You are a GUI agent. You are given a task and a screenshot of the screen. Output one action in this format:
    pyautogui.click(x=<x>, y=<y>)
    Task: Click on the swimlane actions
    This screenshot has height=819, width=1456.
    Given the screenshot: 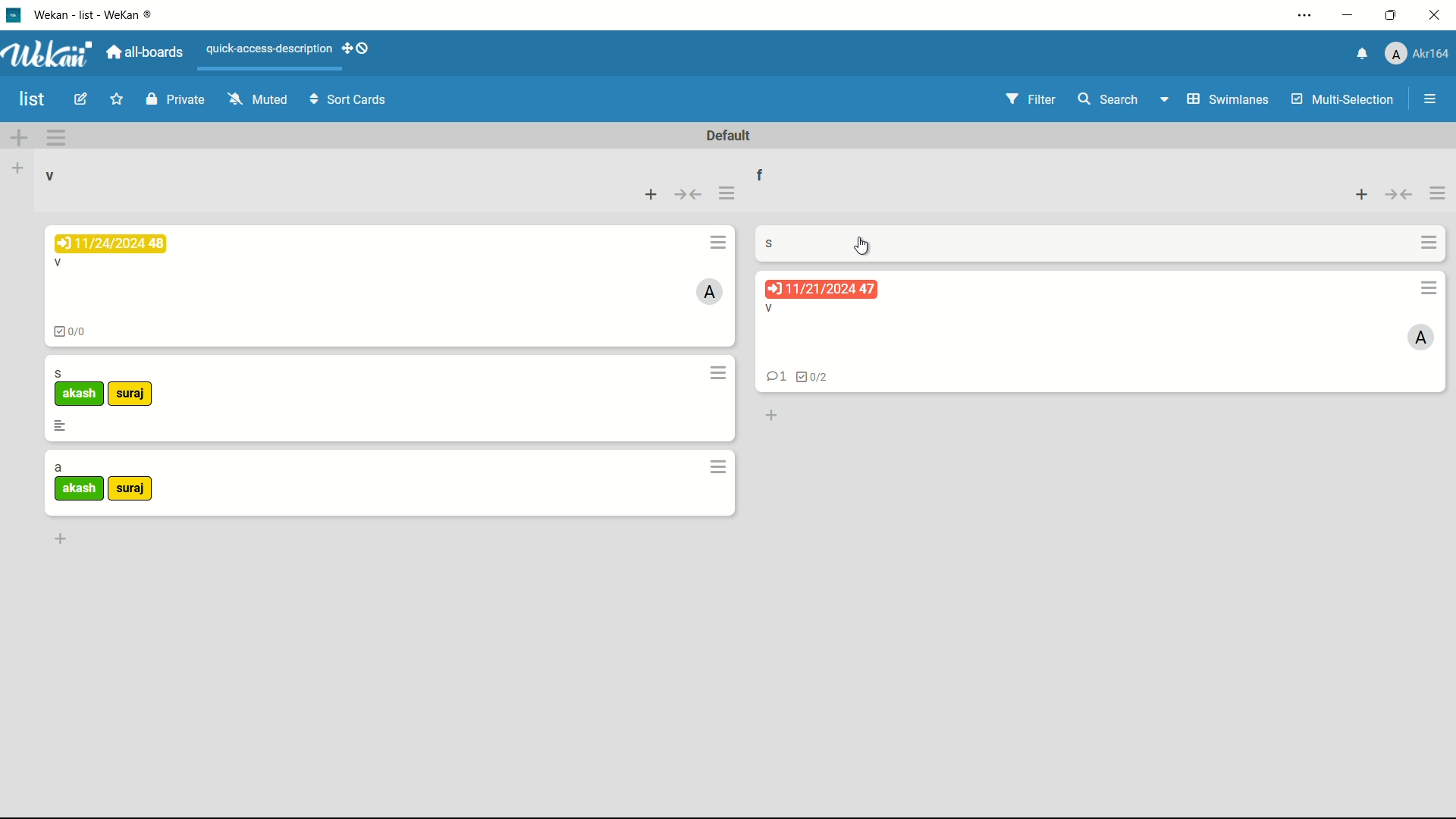 What is the action you would take?
    pyautogui.click(x=56, y=138)
    